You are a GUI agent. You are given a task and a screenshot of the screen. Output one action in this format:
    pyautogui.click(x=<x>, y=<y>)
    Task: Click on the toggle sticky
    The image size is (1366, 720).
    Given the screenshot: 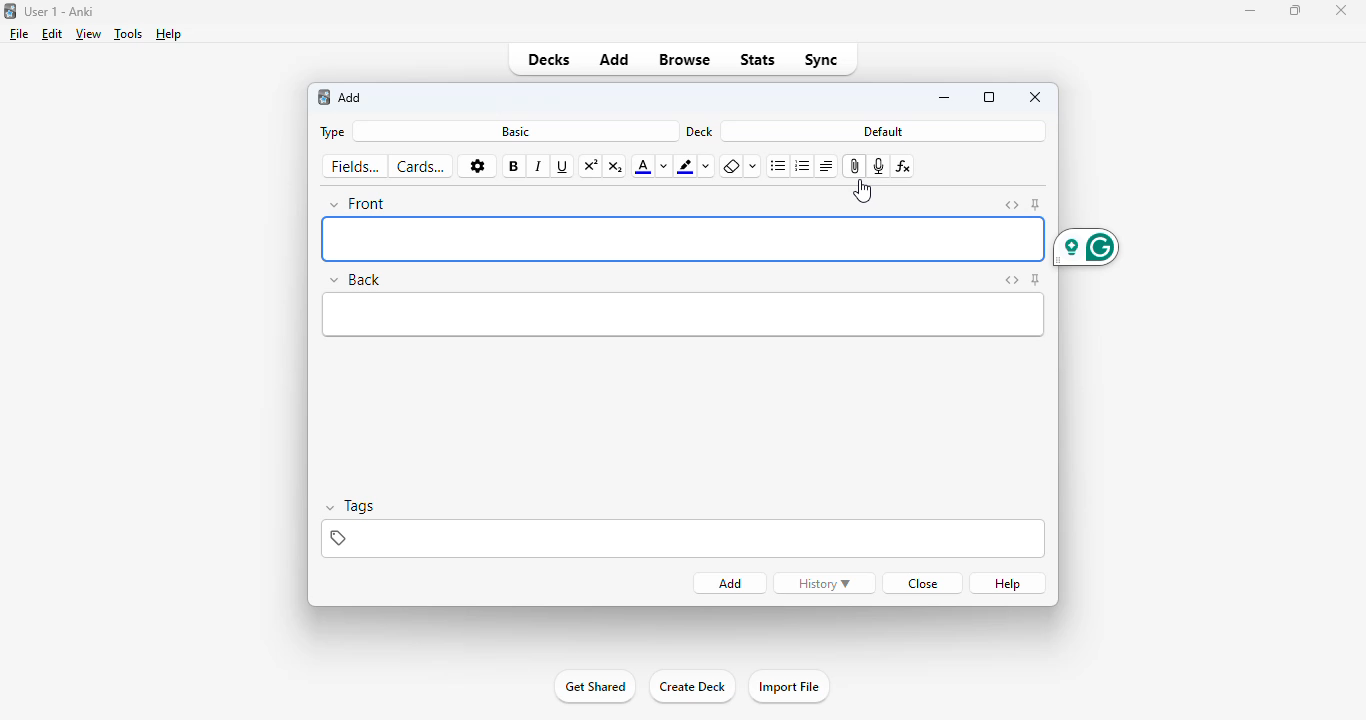 What is the action you would take?
    pyautogui.click(x=1037, y=204)
    